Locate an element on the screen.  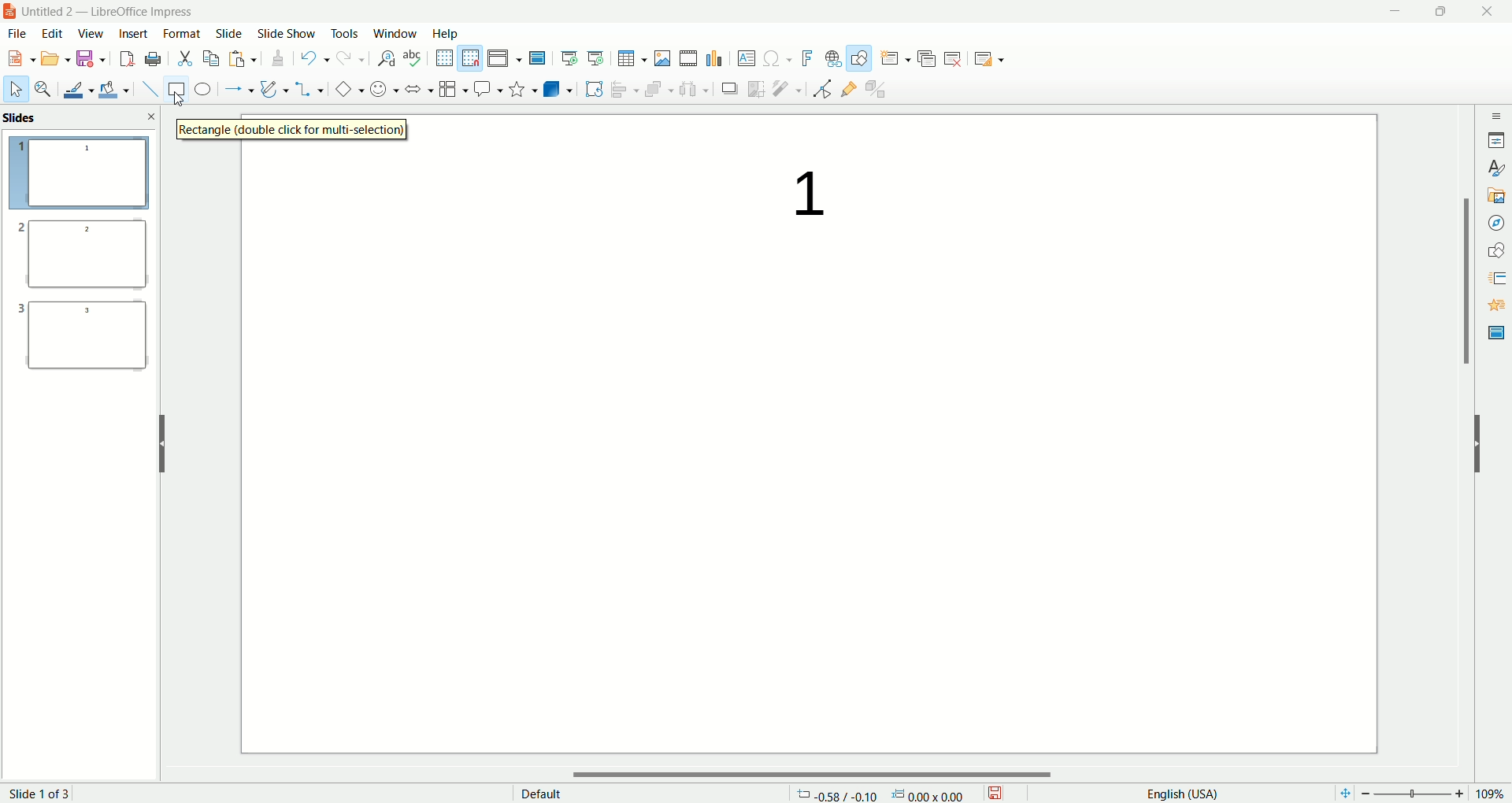
shadow is located at coordinates (732, 90).